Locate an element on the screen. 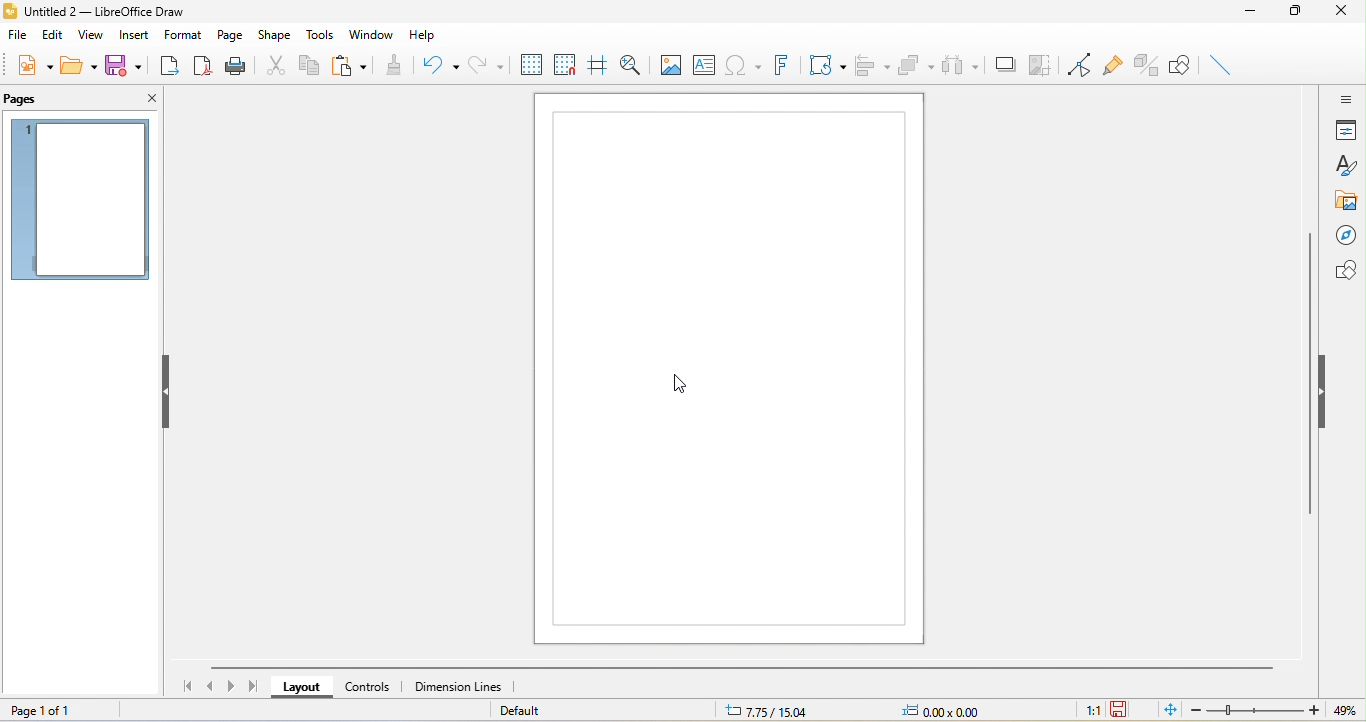 Image resolution: width=1366 pixels, height=722 pixels. shapes is located at coordinates (1342, 269).